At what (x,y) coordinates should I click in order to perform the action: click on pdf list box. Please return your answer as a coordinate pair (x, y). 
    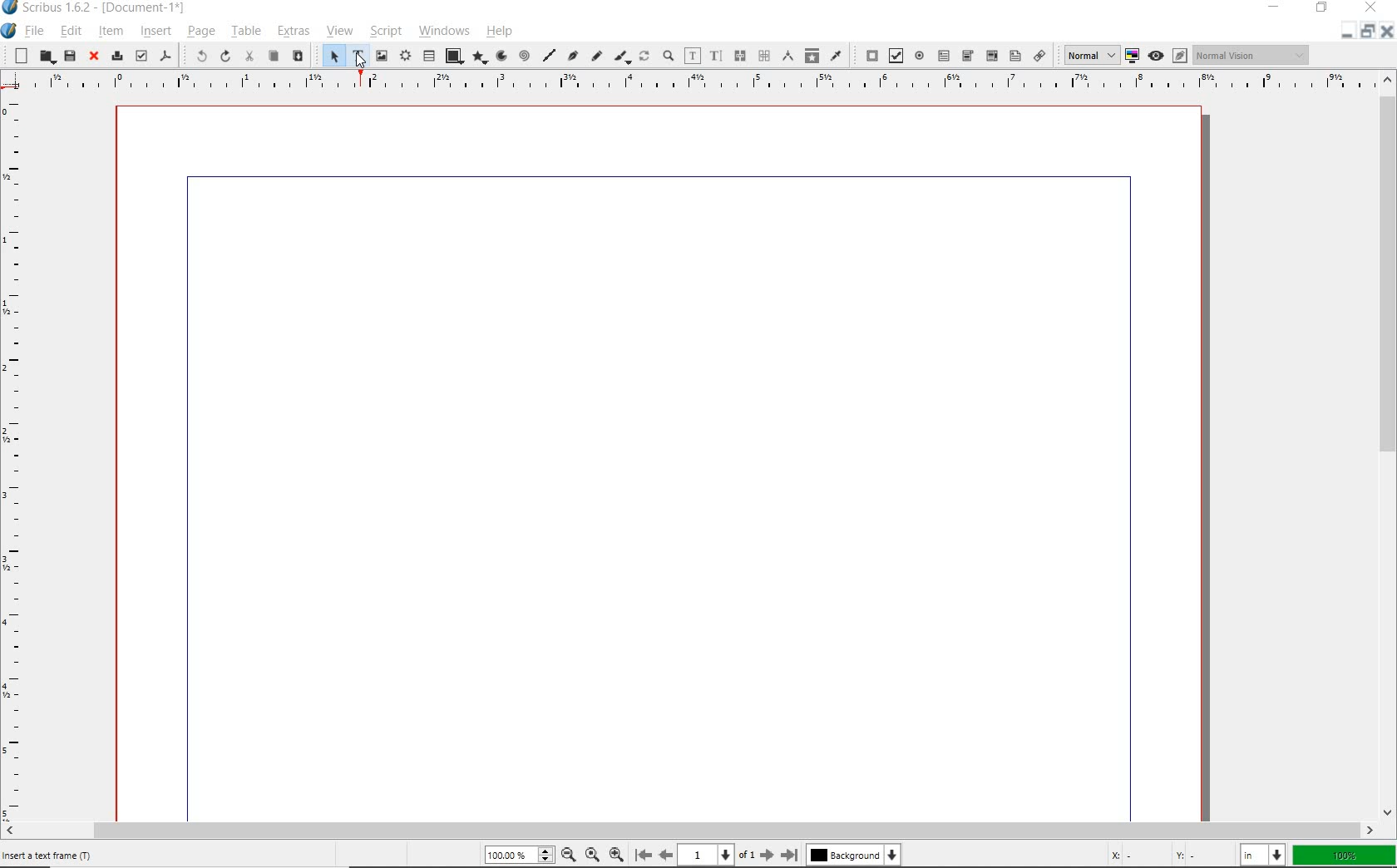
    Looking at the image, I should click on (1014, 56).